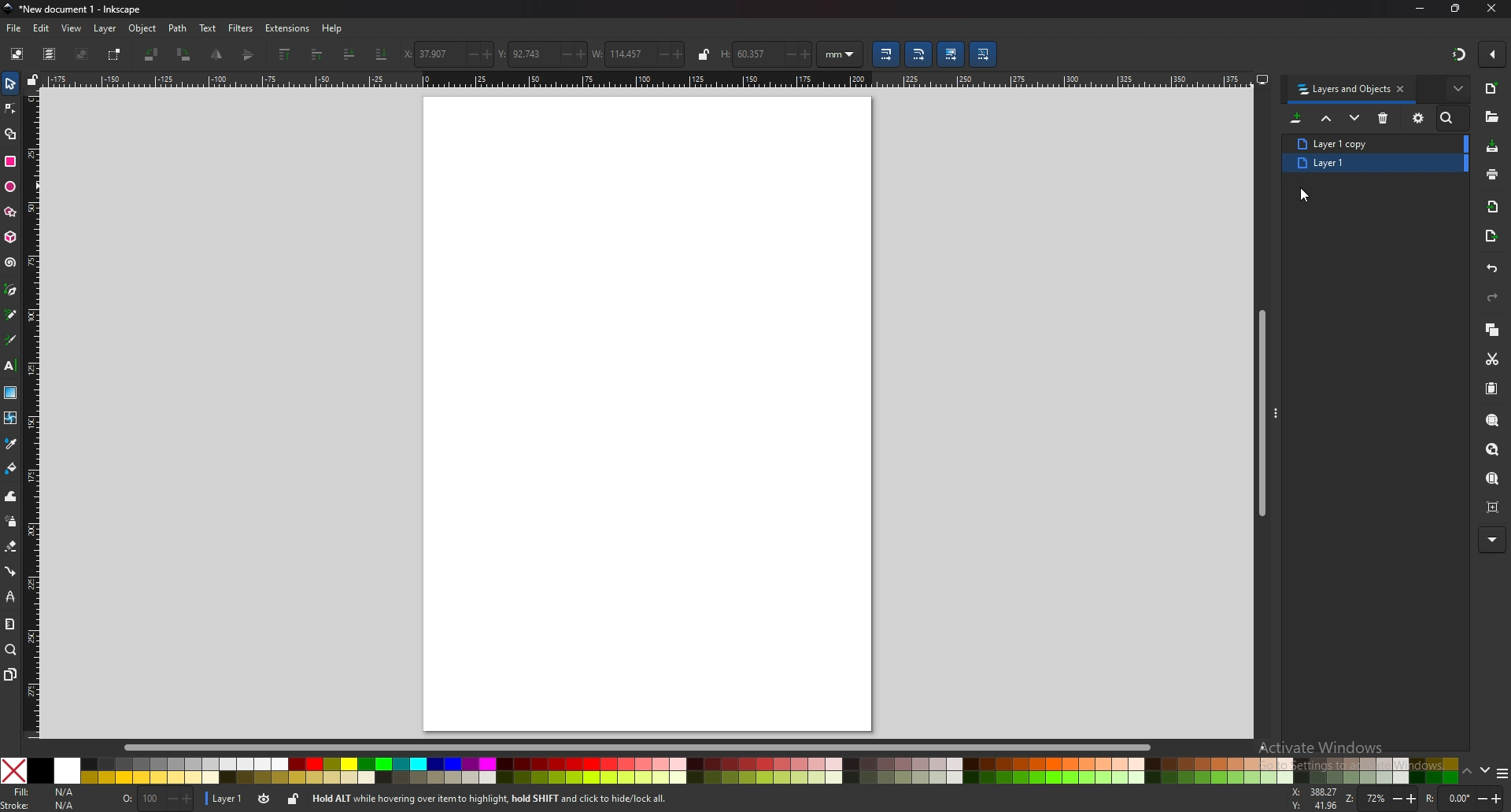 The height and width of the screenshot is (812, 1511). What do you see at coordinates (1491, 234) in the screenshot?
I see `export` at bounding box center [1491, 234].